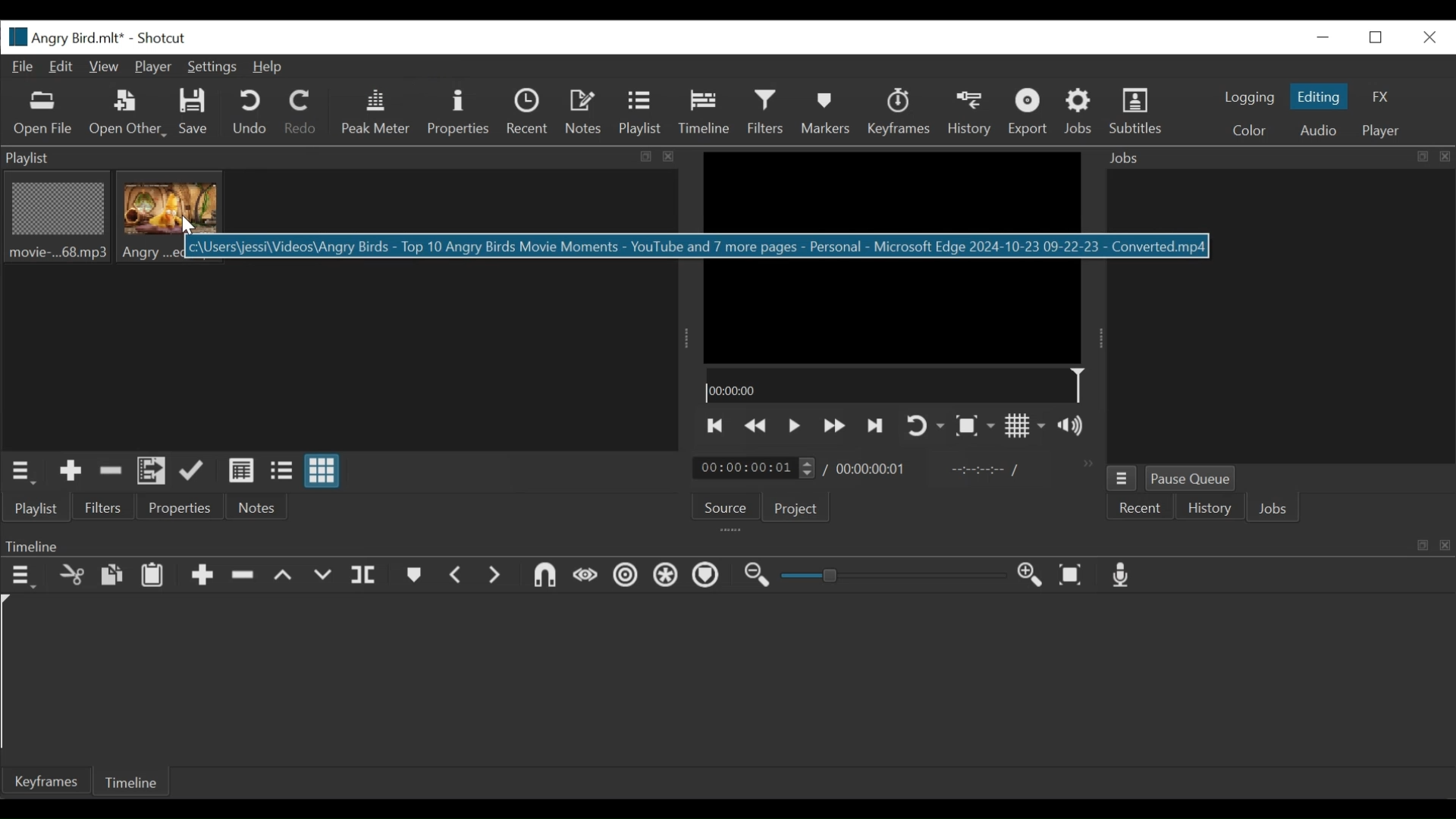 Image resolution: width=1456 pixels, height=819 pixels. What do you see at coordinates (727, 543) in the screenshot?
I see `Timeline` at bounding box center [727, 543].